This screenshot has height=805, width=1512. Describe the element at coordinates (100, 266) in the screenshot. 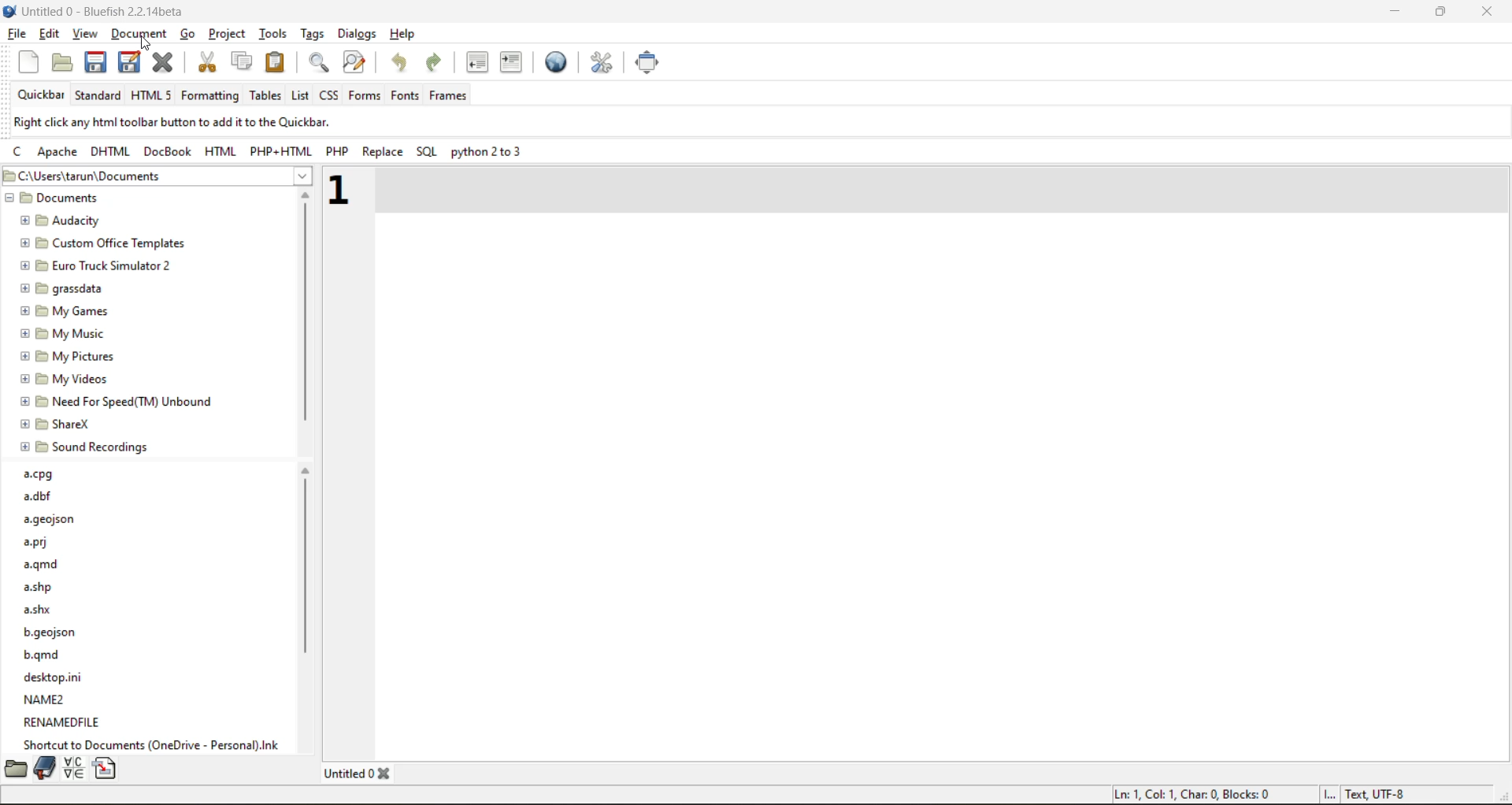

I see `euro truck simulator 2` at that location.